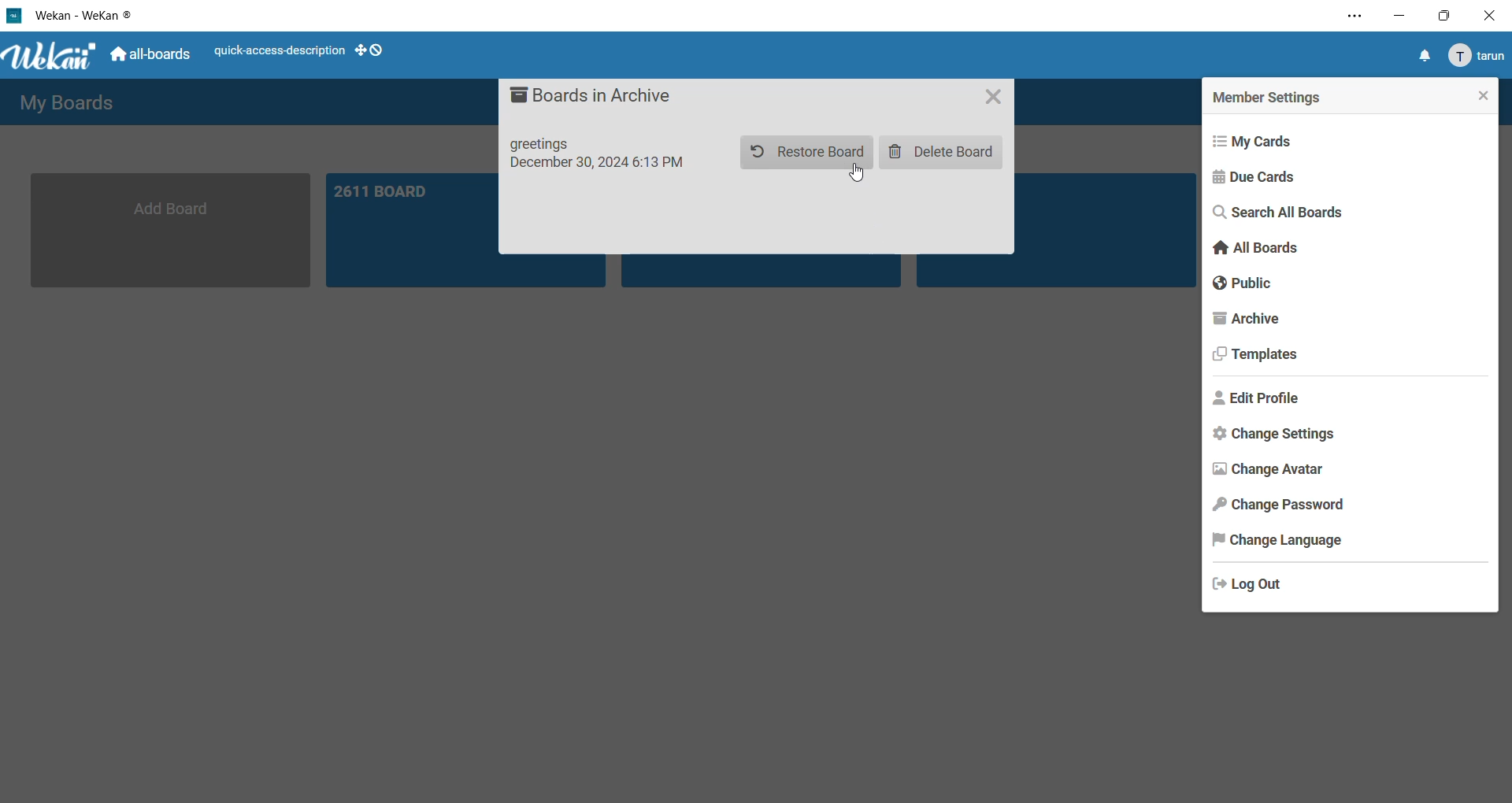  What do you see at coordinates (1488, 14) in the screenshot?
I see `close` at bounding box center [1488, 14].